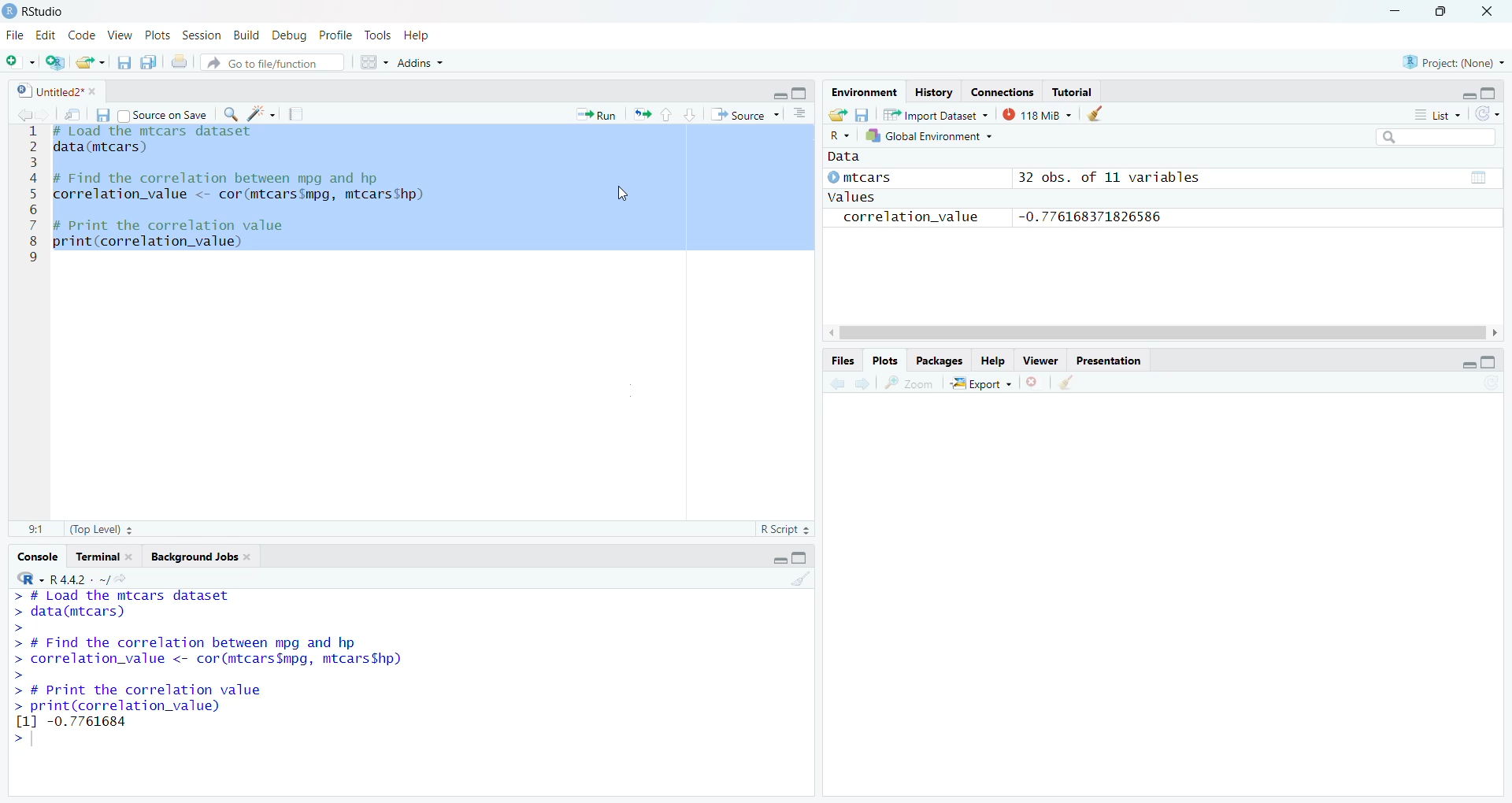 This screenshot has width=1512, height=803. Describe the element at coordinates (864, 92) in the screenshot. I see `Environment` at that location.